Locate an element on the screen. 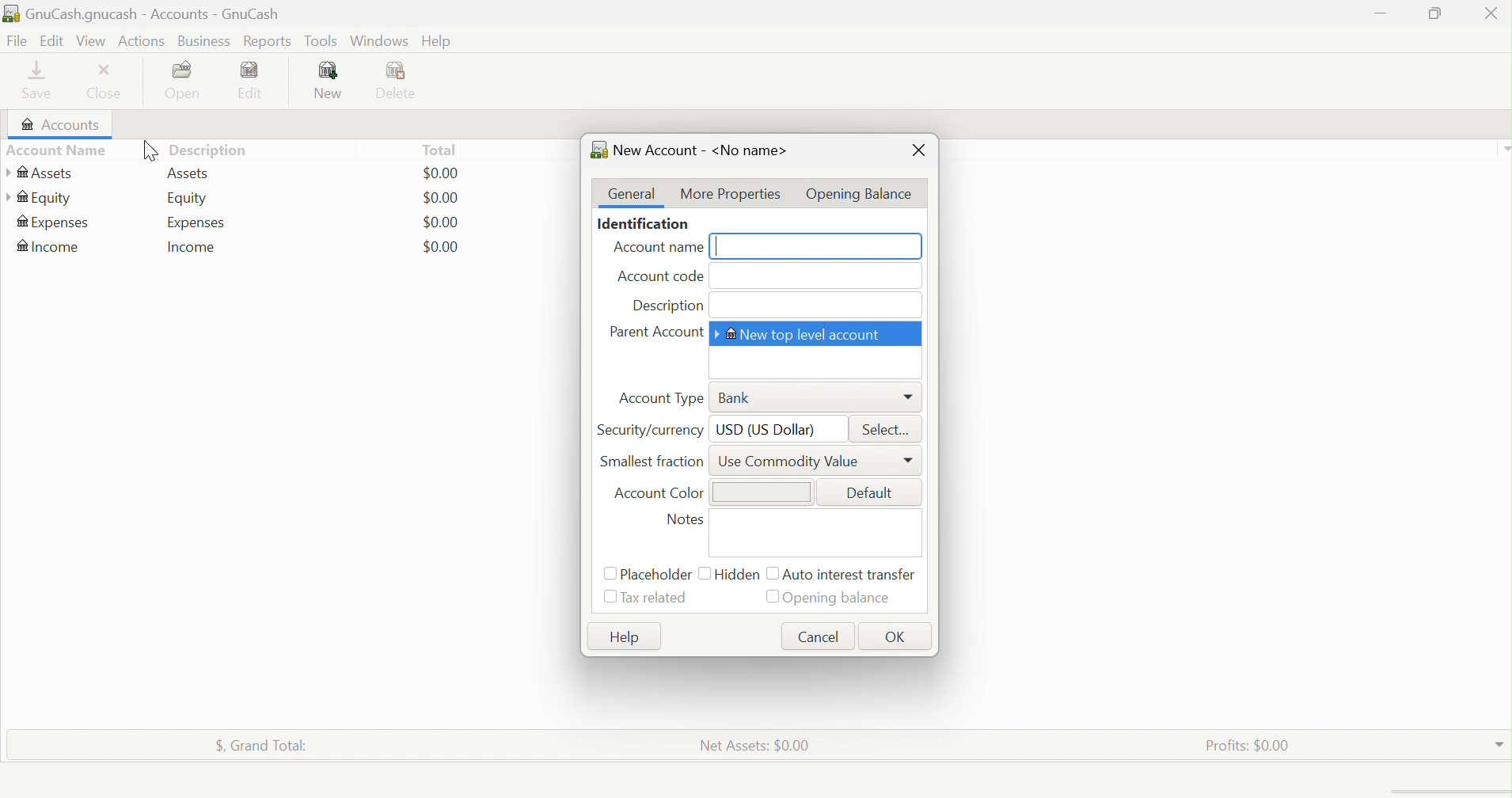  Parent Account is located at coordinates (656, 332).